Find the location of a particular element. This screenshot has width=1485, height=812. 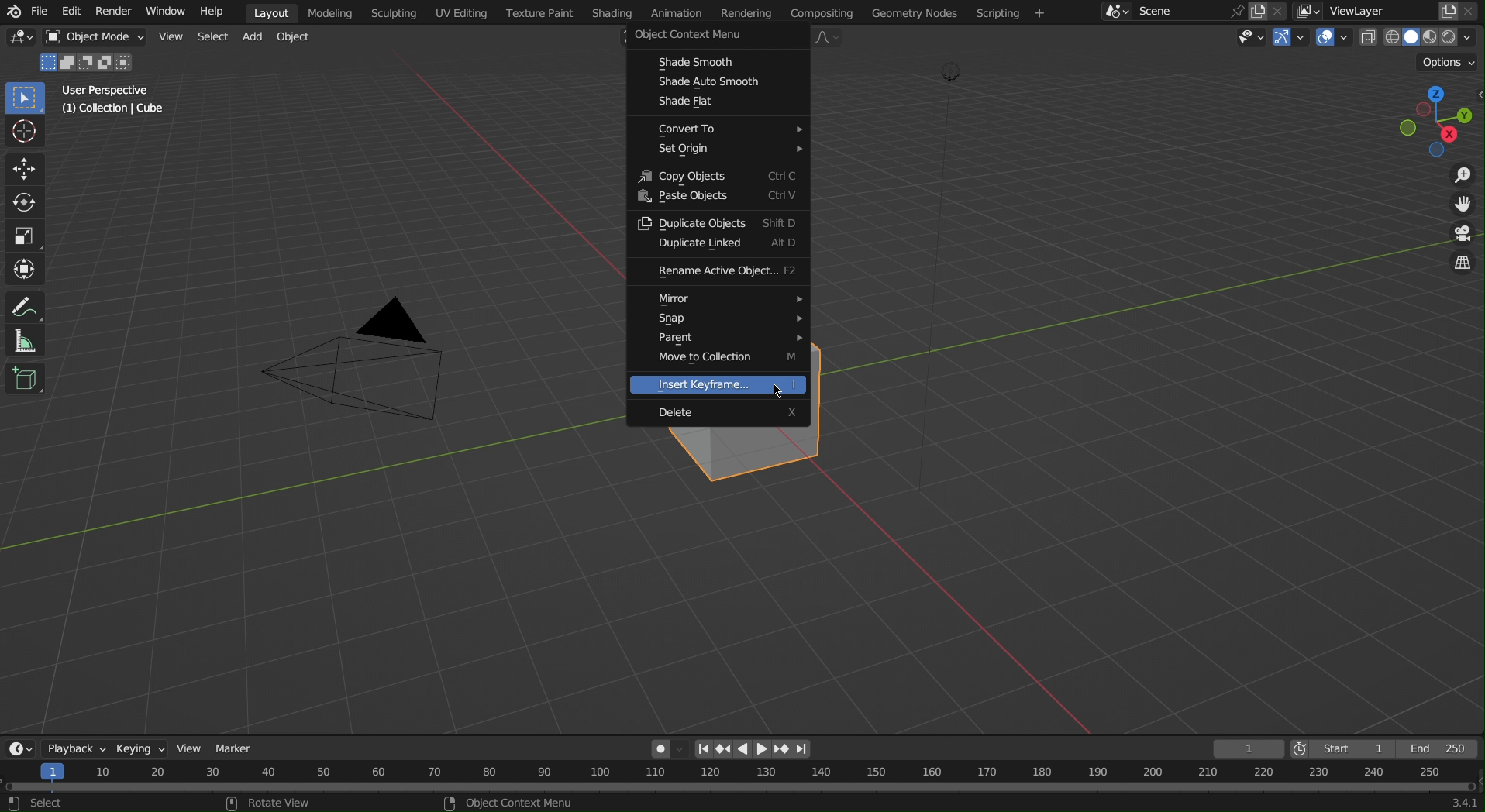

Object 1 is located at coordinates (86, 60).